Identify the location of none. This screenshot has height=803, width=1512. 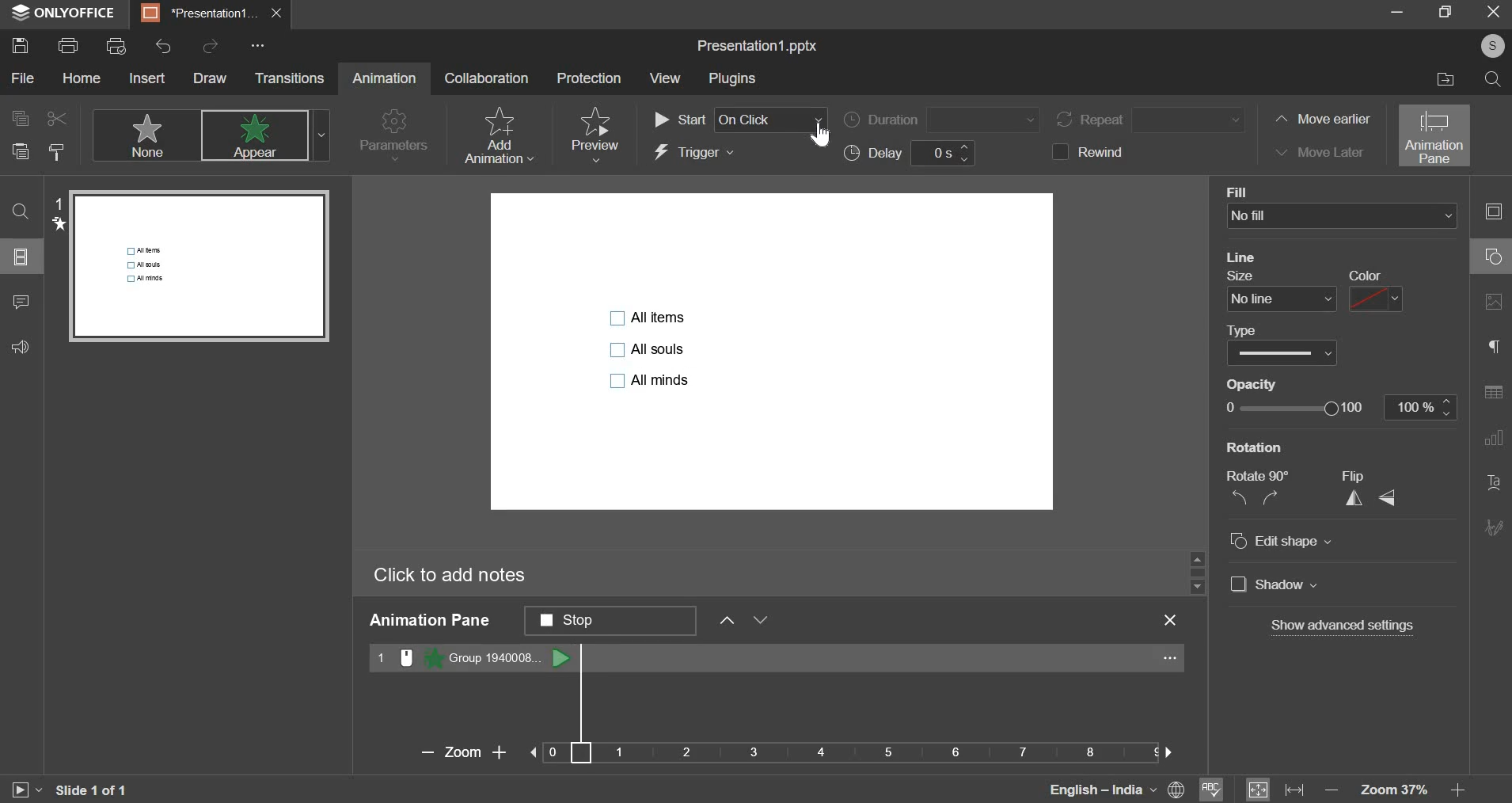
(145, 135).